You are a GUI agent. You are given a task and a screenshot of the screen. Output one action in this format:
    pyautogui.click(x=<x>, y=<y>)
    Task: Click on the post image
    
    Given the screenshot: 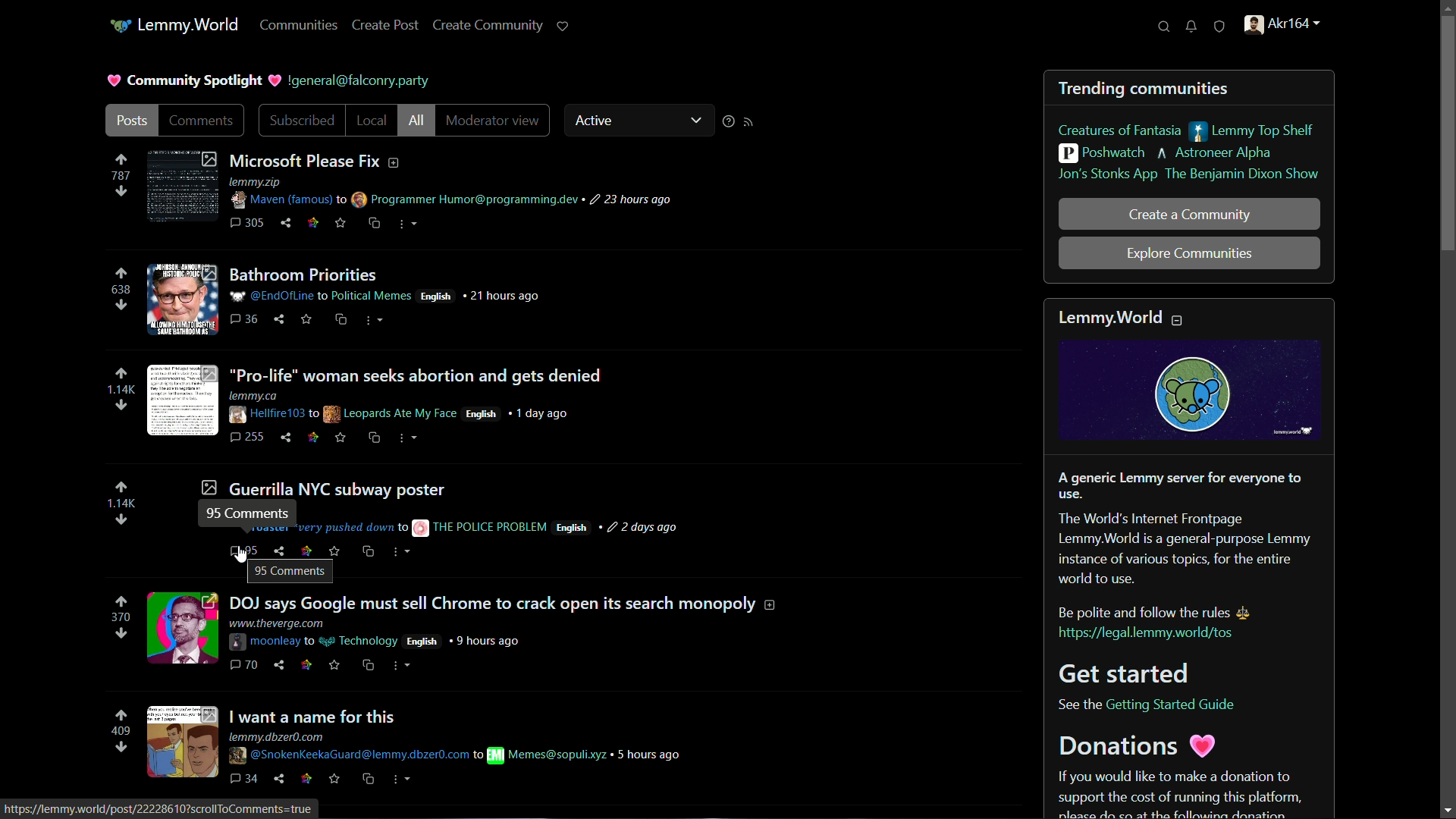 What is the action you would take?
    pyautogui.click(x=181, y=629)
    